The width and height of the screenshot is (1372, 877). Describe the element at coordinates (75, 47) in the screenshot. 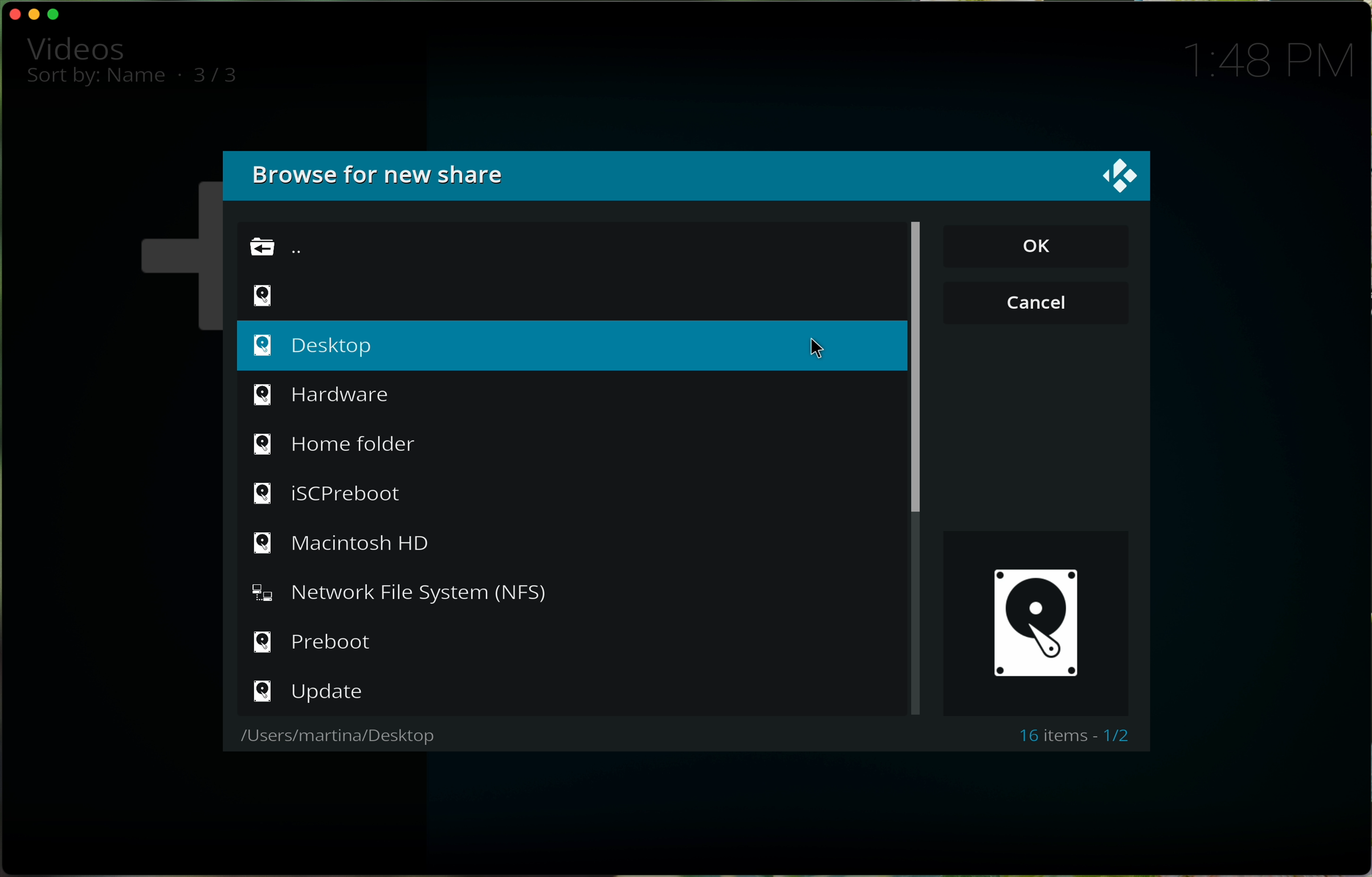

I see `video` at that location.